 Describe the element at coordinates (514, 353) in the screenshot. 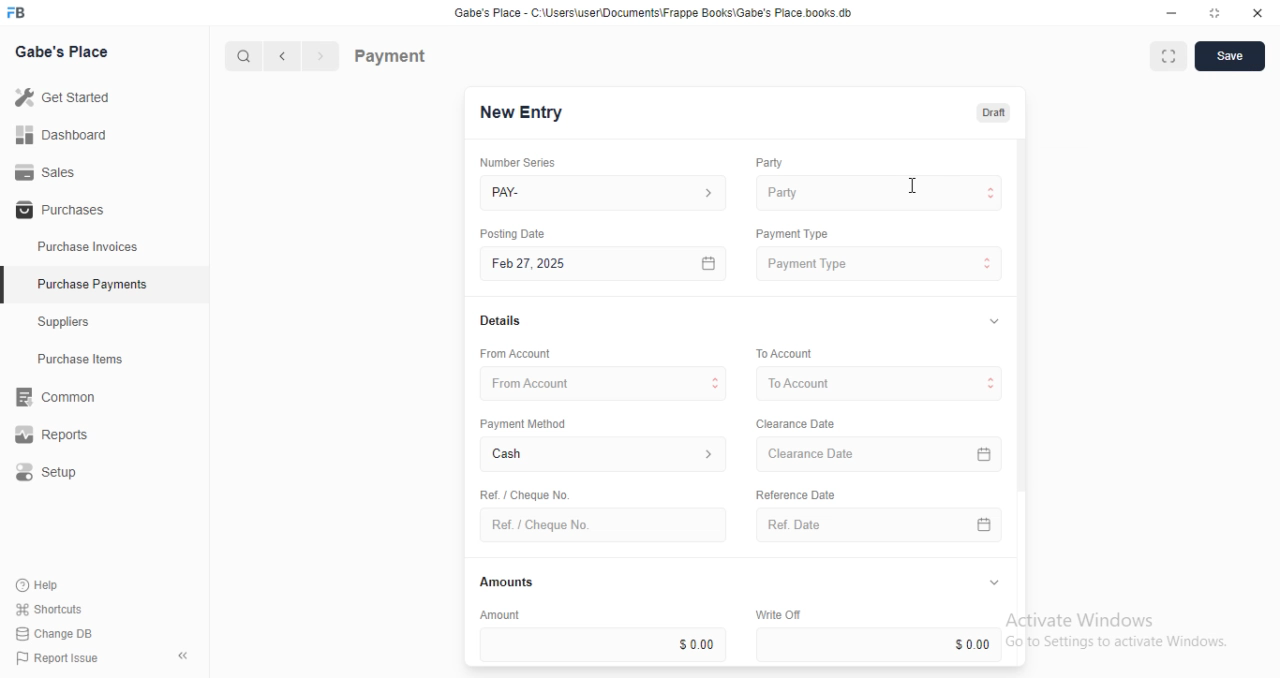

I see `‘From Account` at that location.